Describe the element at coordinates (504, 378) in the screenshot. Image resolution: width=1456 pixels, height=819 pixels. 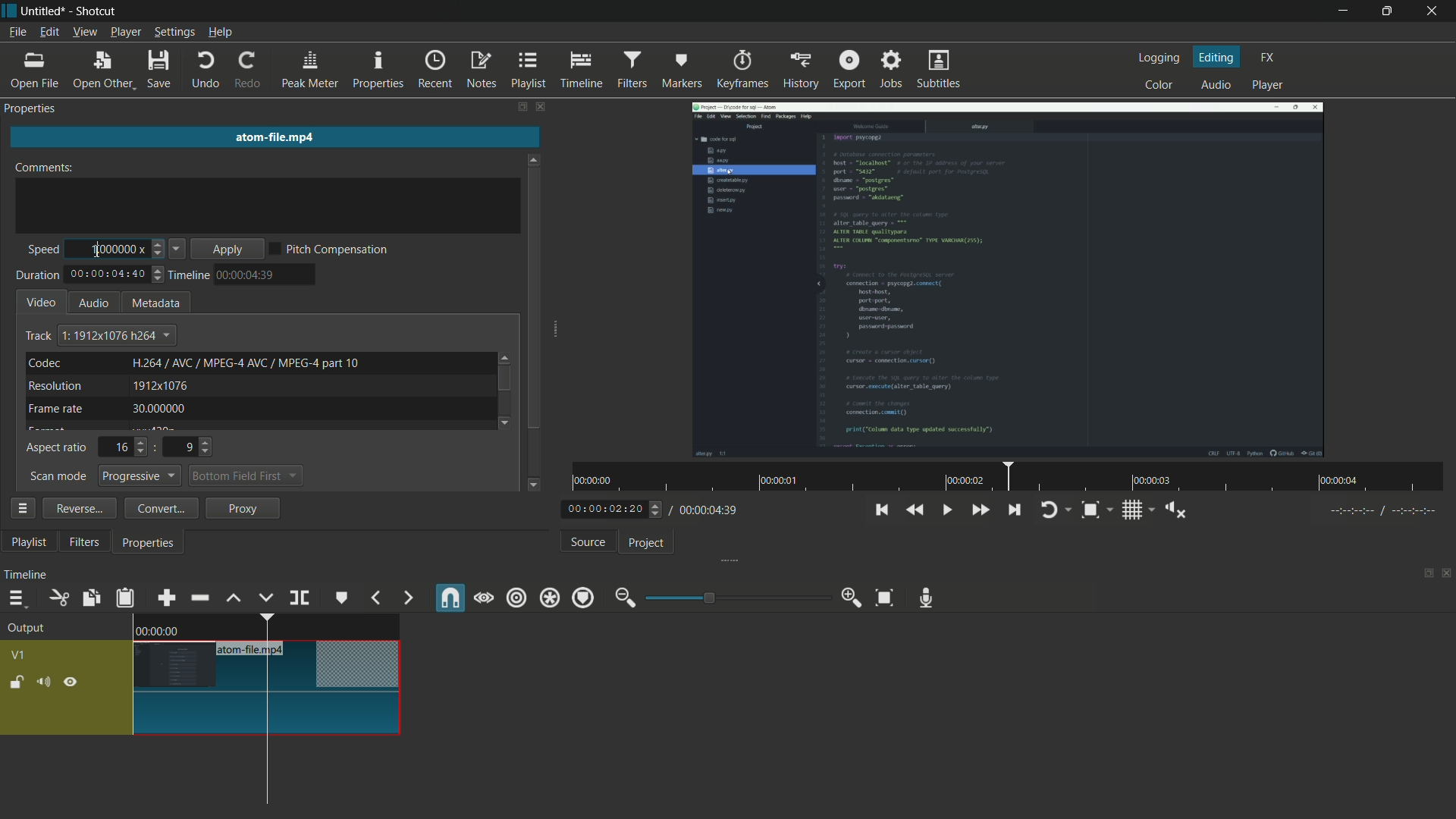
I see `scroll bar` at that location.